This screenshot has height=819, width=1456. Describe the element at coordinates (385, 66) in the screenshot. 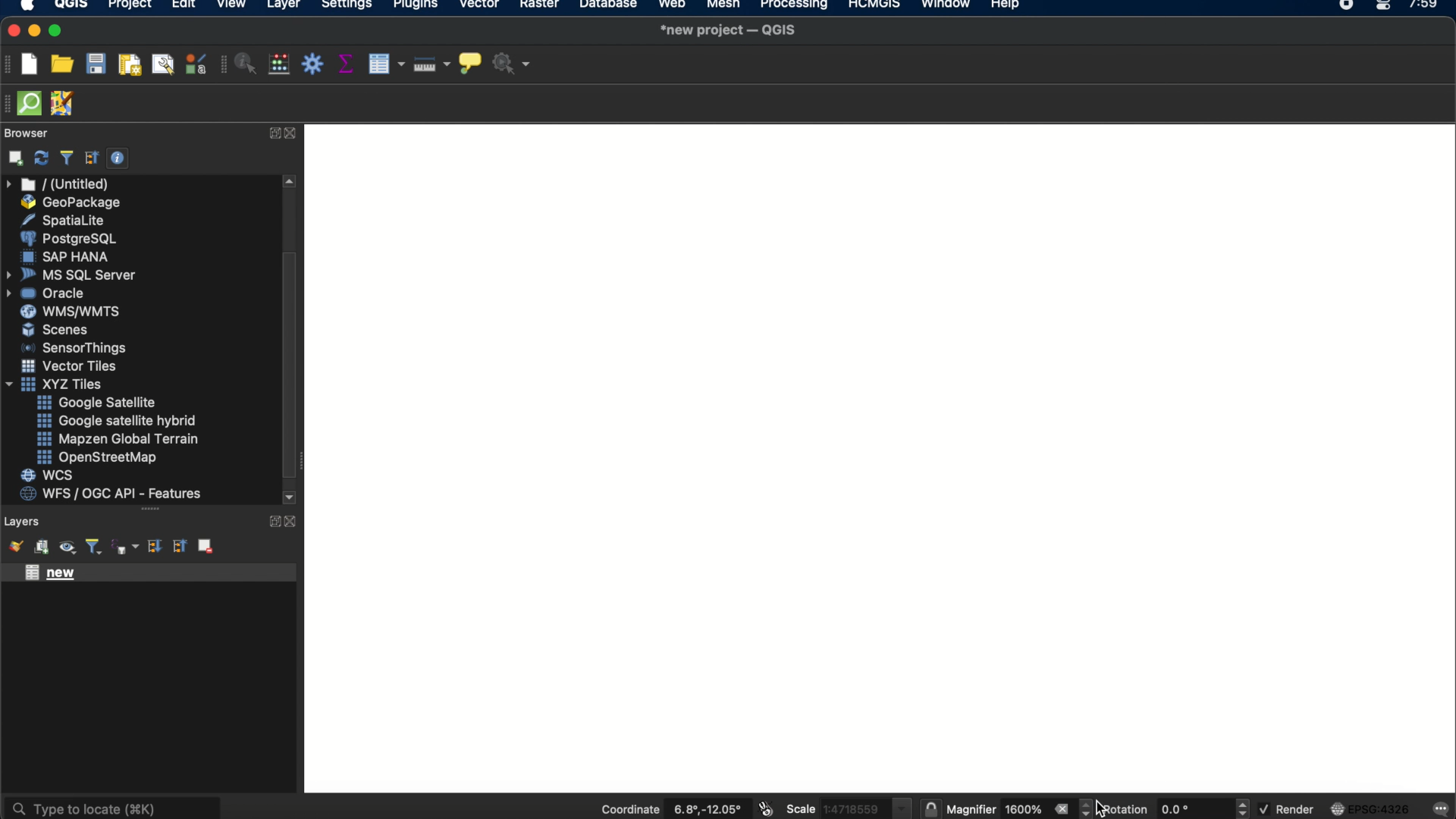

I see `OPEN ATTRIBUTE TABLE` at that location.